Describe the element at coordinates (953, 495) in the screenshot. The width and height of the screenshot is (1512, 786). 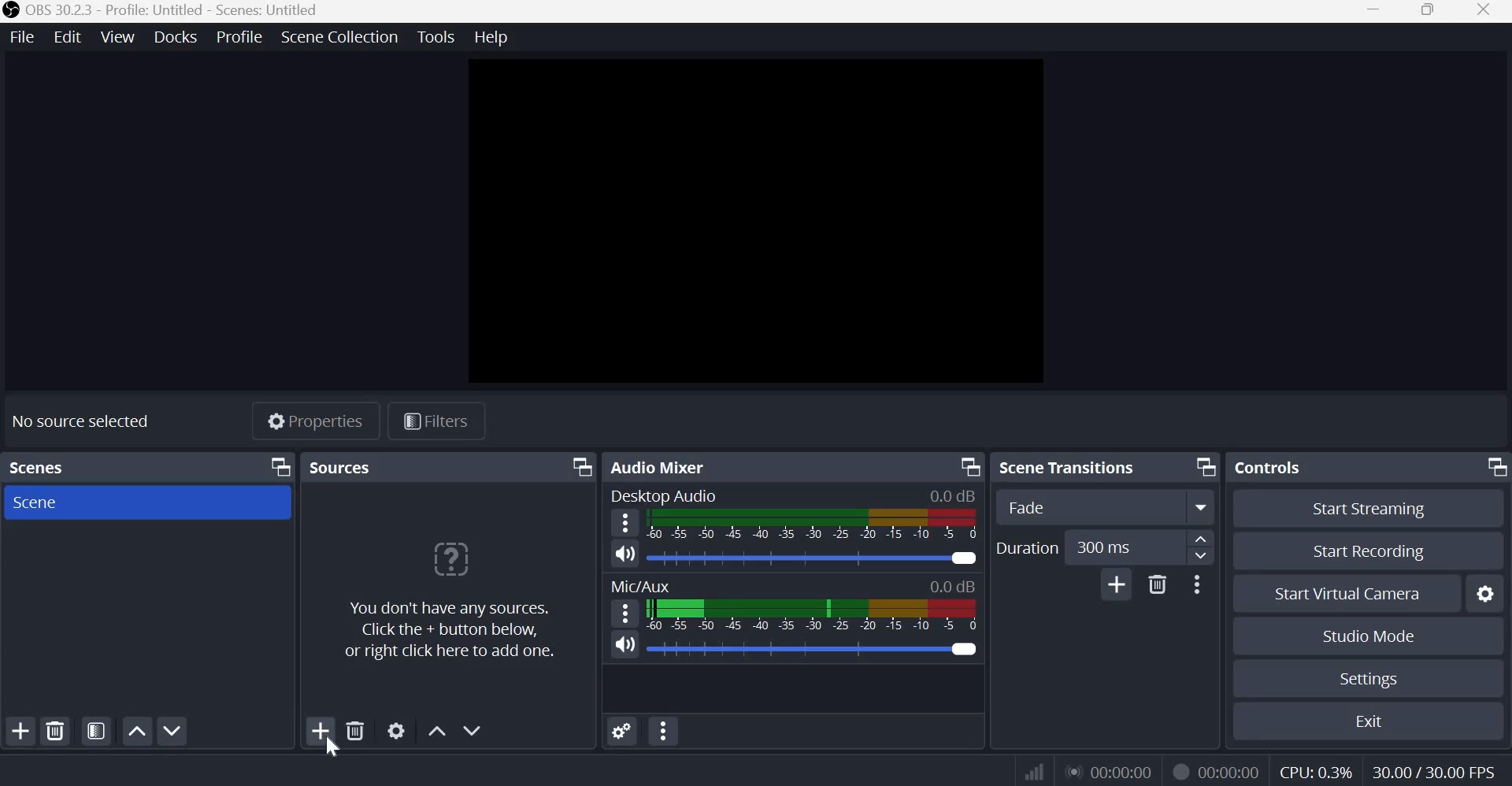
I see `Audio Level Indicator` at that location.